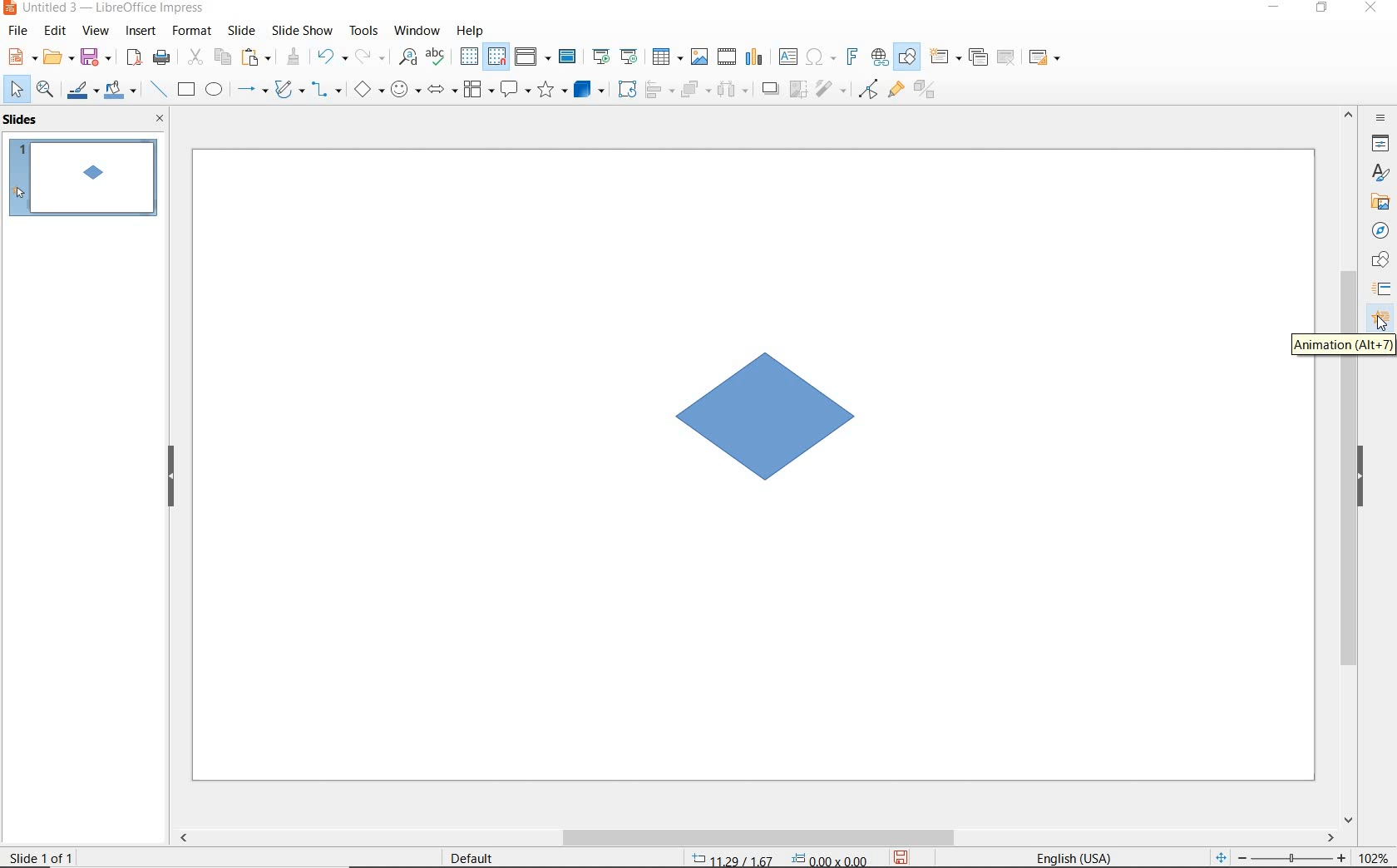 The width and height of the screenshot is (1397, 868). What do you see at coordinates (141, 32) in the screenshot?
I see `insert` at bounding box center [141, 32].